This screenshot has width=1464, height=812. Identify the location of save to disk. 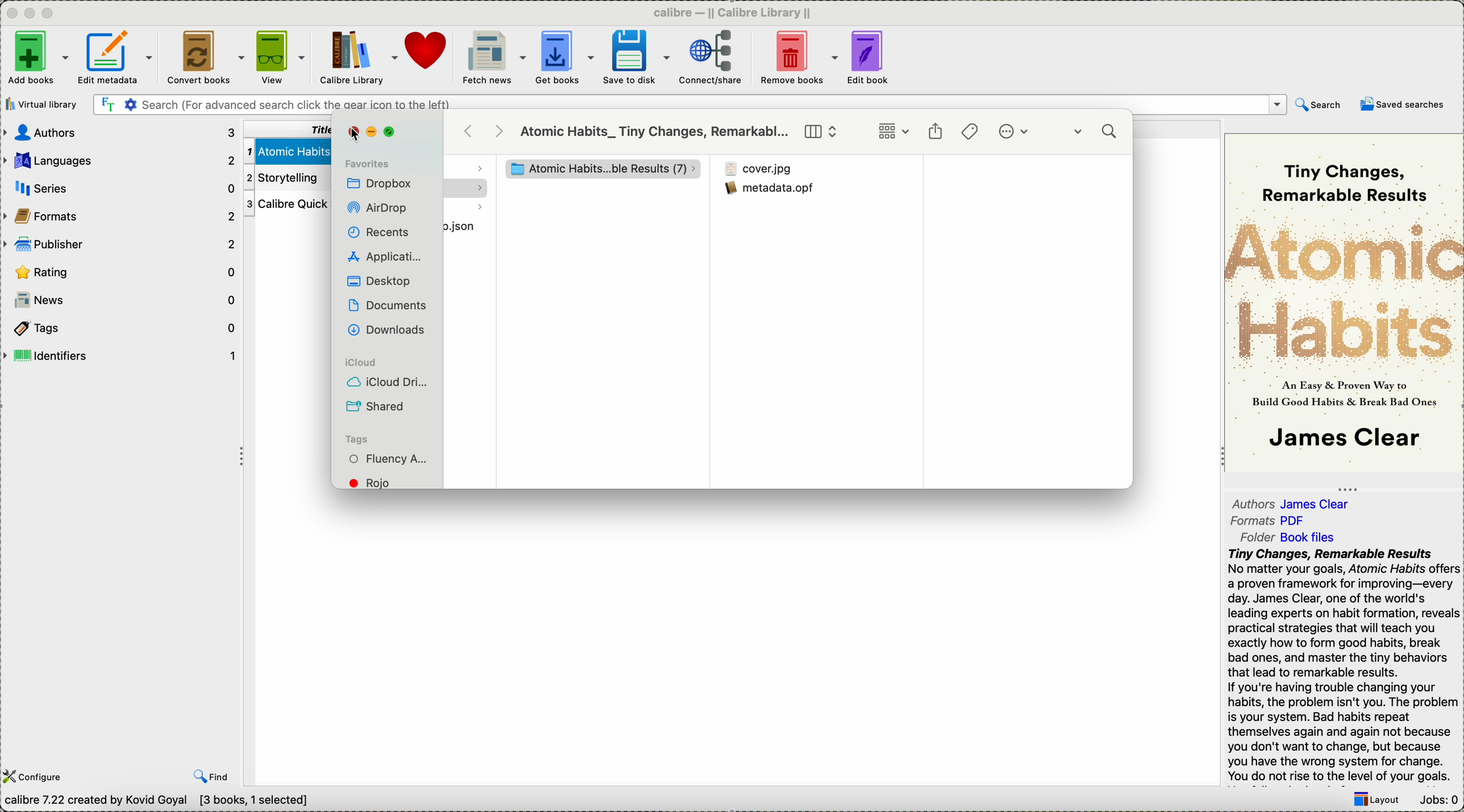
(636, 57).